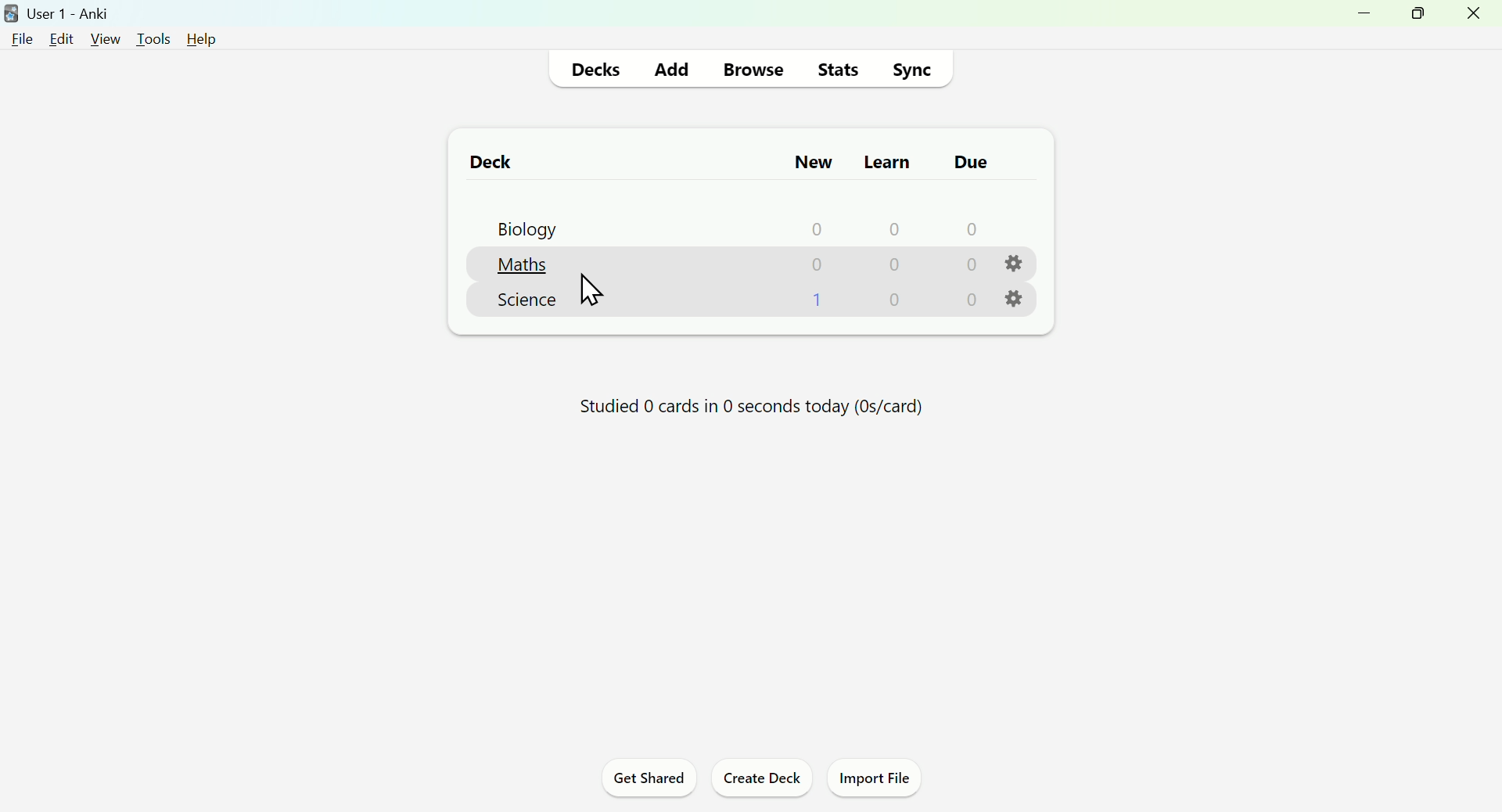 The height and width of the screenshot is (812, 1502). I want to click on Maths, so click(526, 264).